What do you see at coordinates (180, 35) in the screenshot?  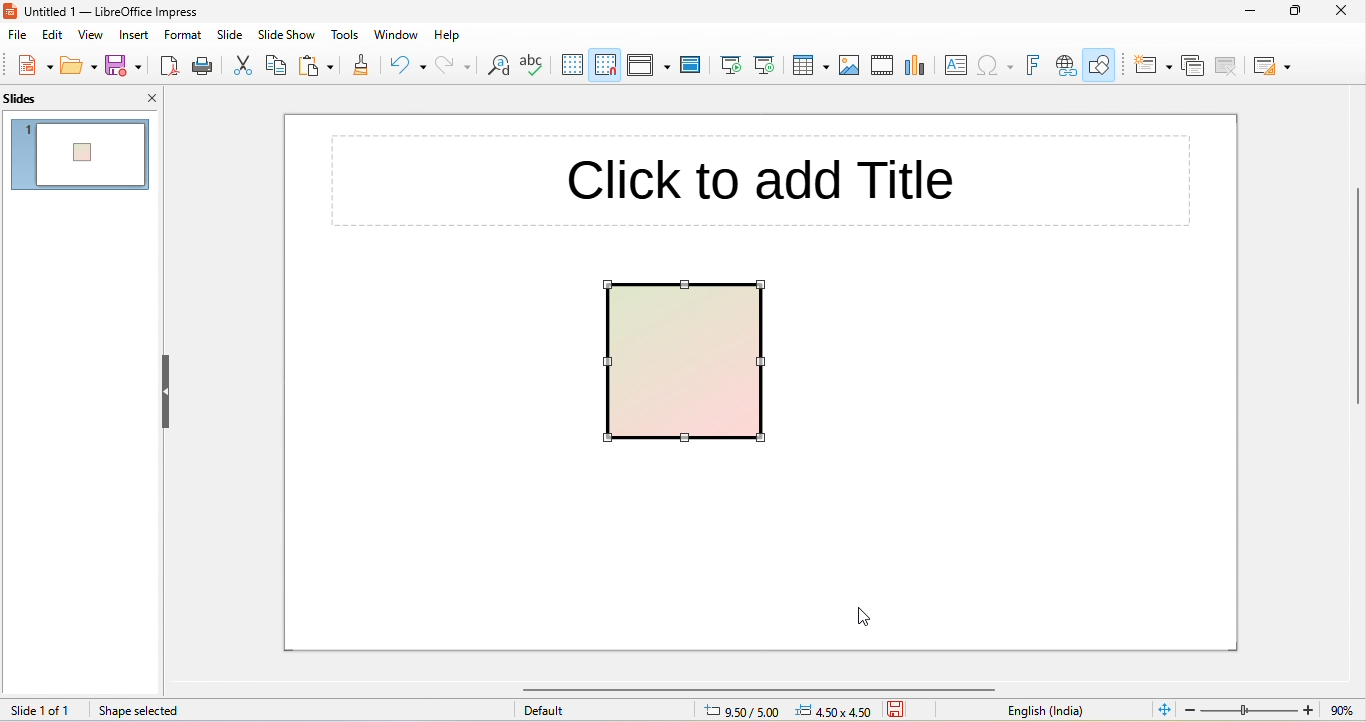 I see `format` at bounding box center [180, 35].